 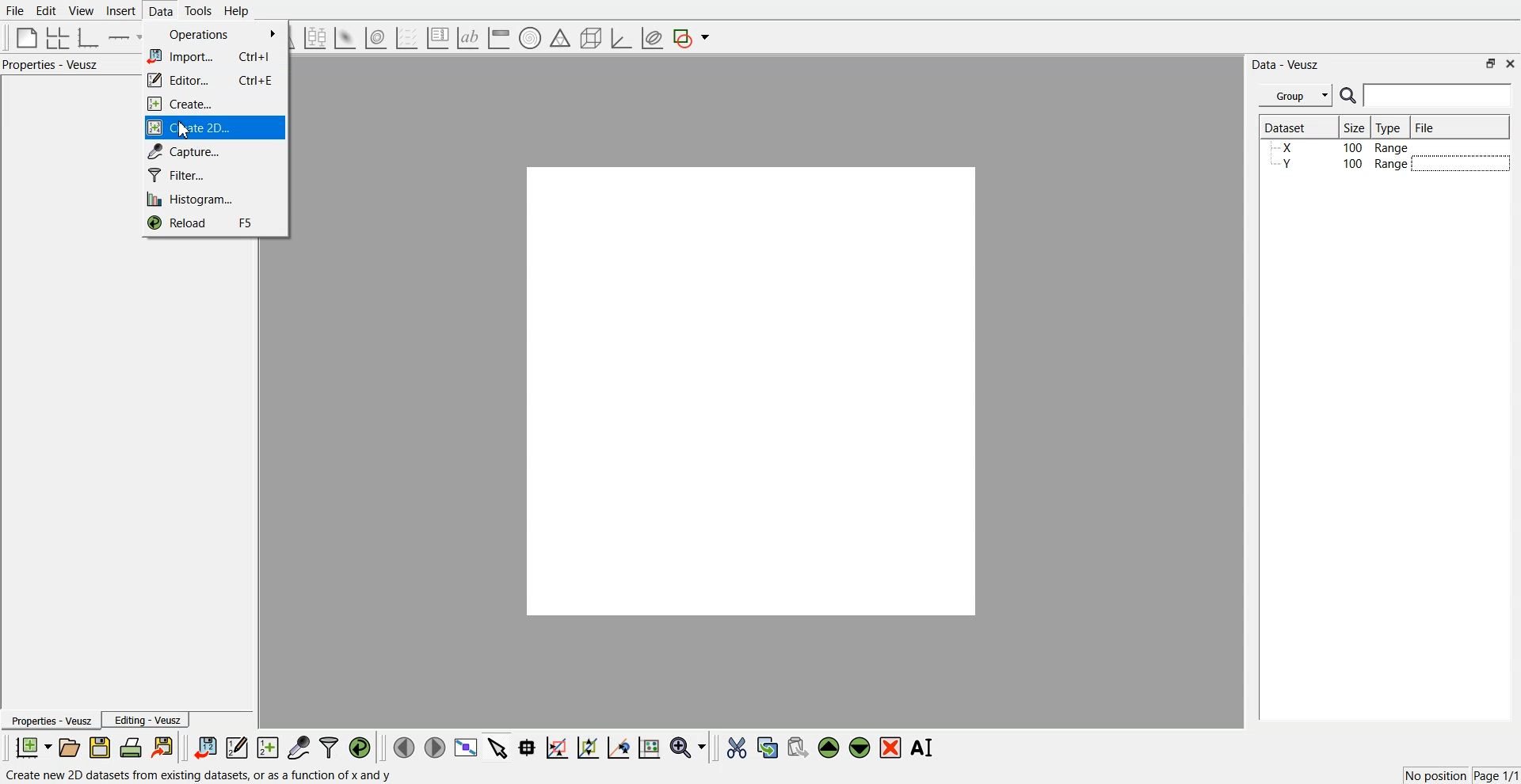 I want to click on Capture, so click(x=215, y=151).